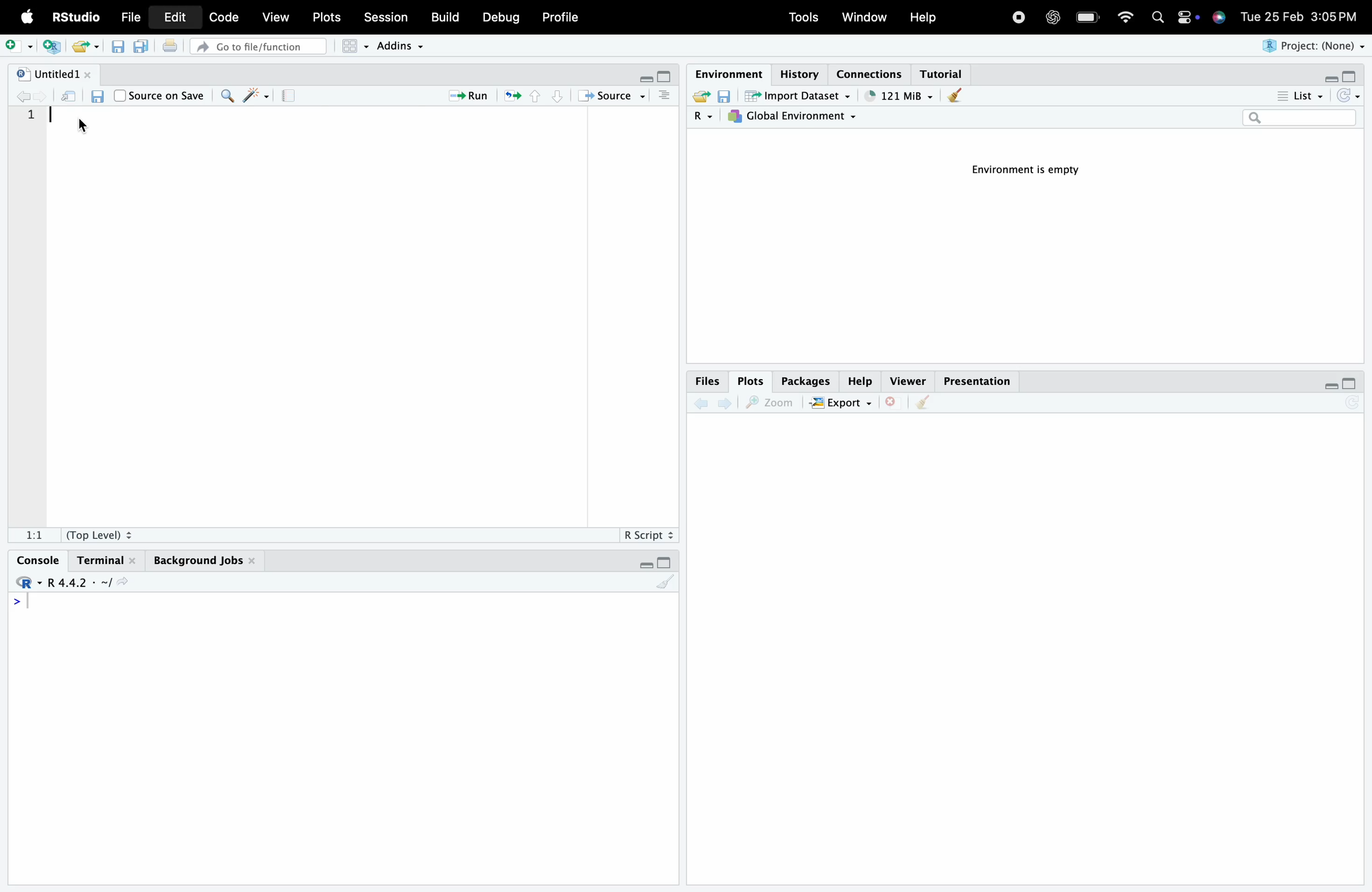 The image size is (1372, 892). I want to click on Prompt cursor, so click(16, 604).